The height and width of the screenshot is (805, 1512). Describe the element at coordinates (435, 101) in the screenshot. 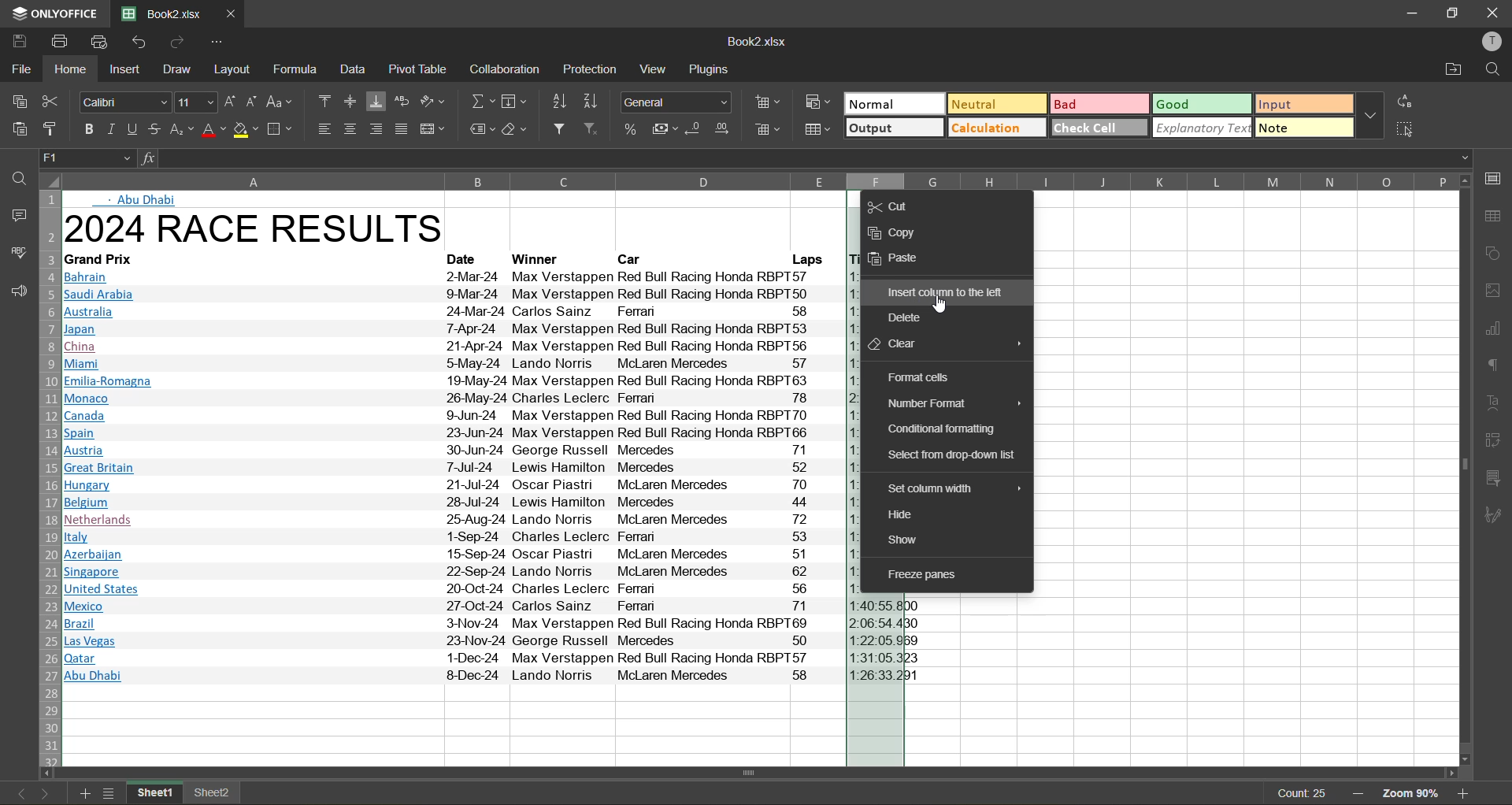

I see `orientation` at that location.